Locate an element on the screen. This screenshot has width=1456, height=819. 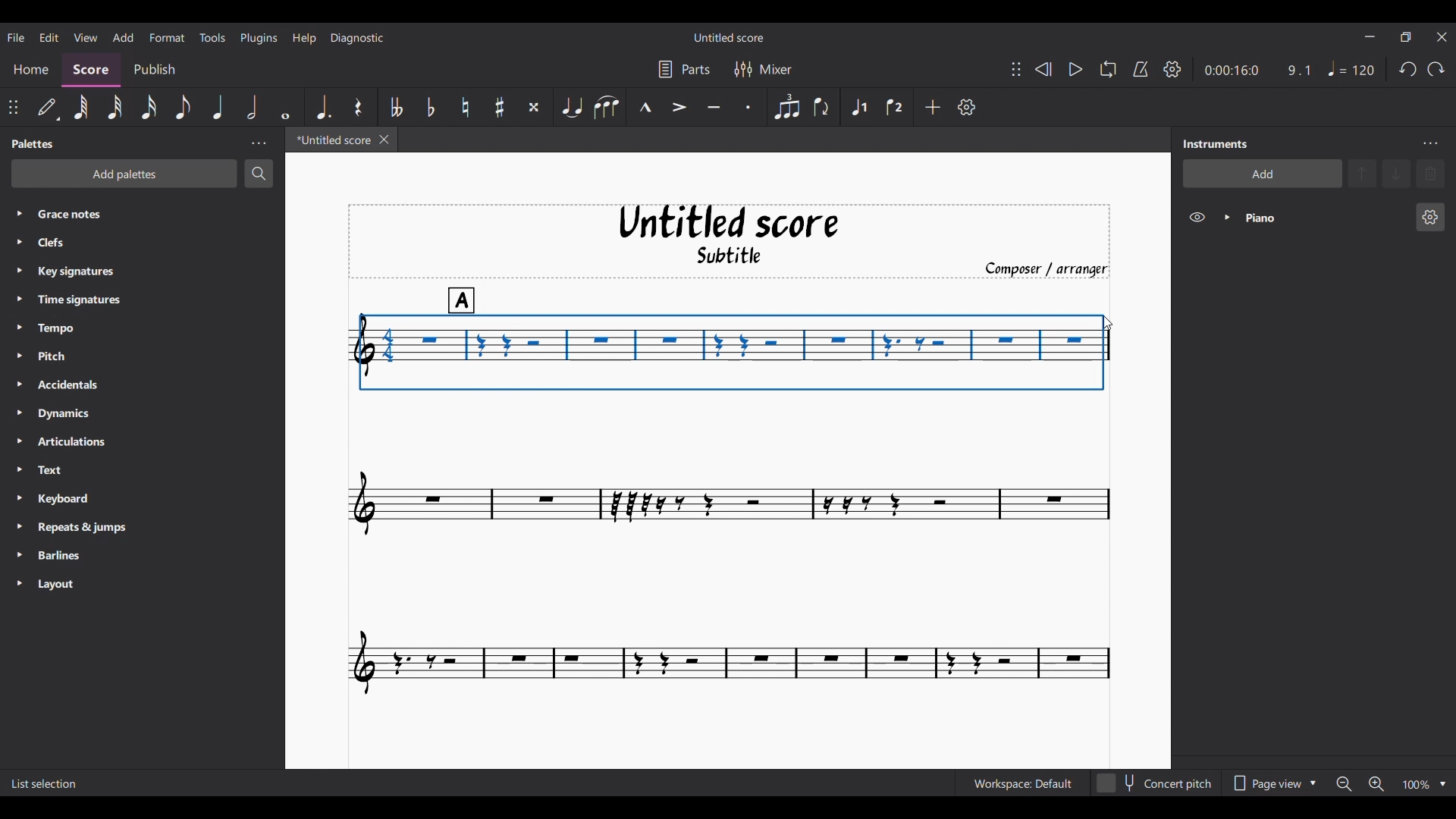
Composer/arranger is located at coordinates (1045, 268).